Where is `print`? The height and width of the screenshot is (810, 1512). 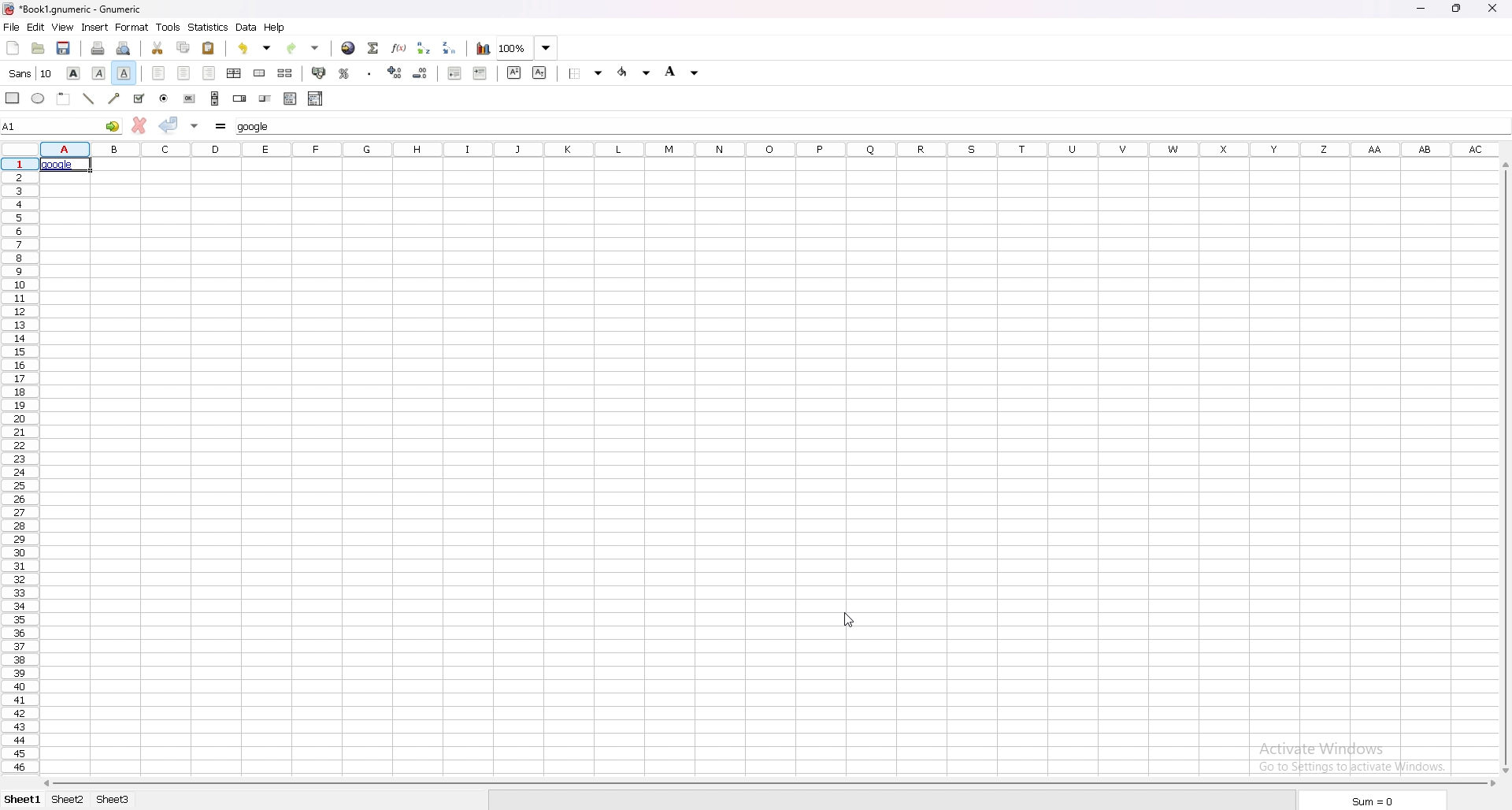
print is located at coordinates (98, 48).